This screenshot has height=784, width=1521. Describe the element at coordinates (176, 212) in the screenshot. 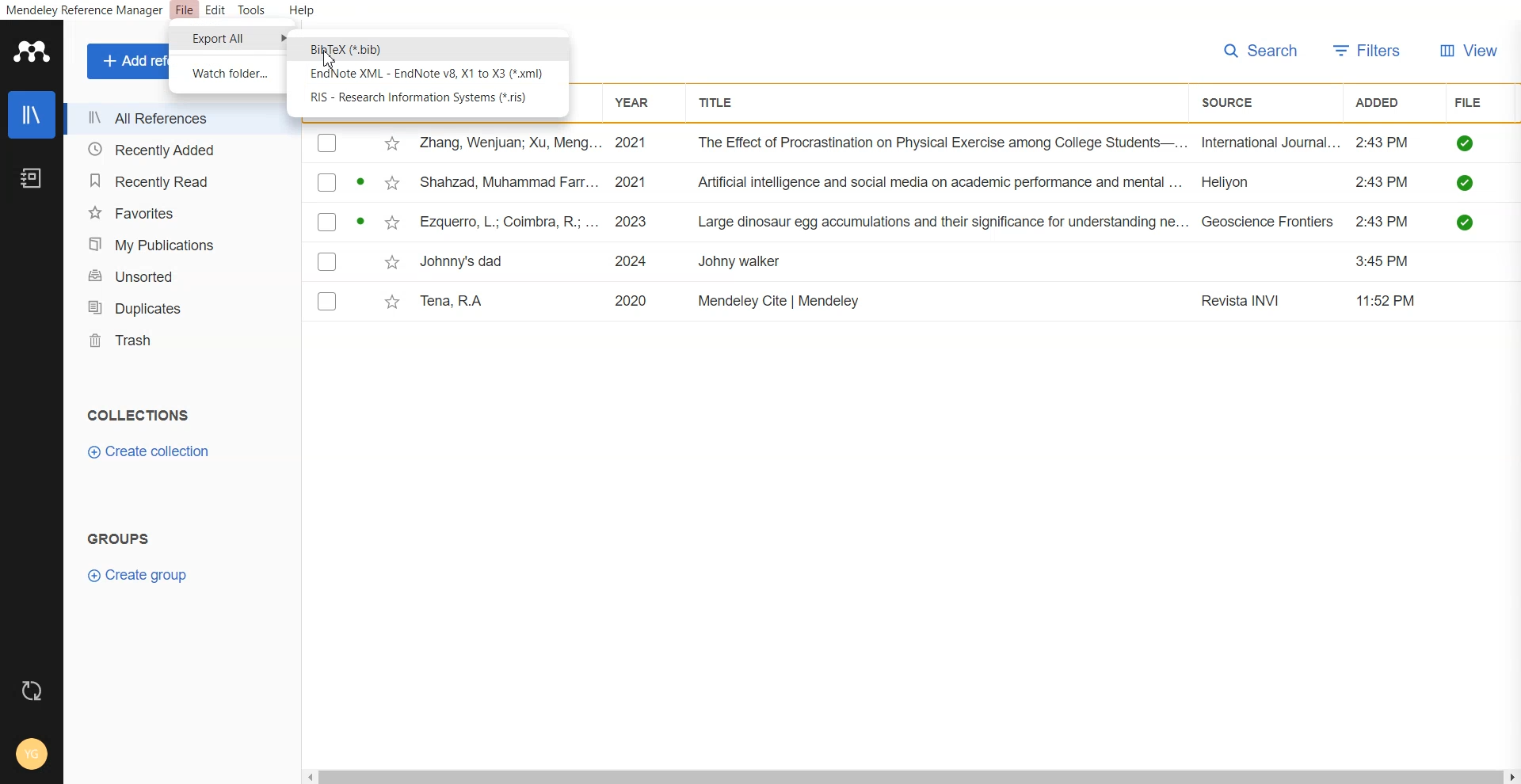

I see `Favorites` at that location.